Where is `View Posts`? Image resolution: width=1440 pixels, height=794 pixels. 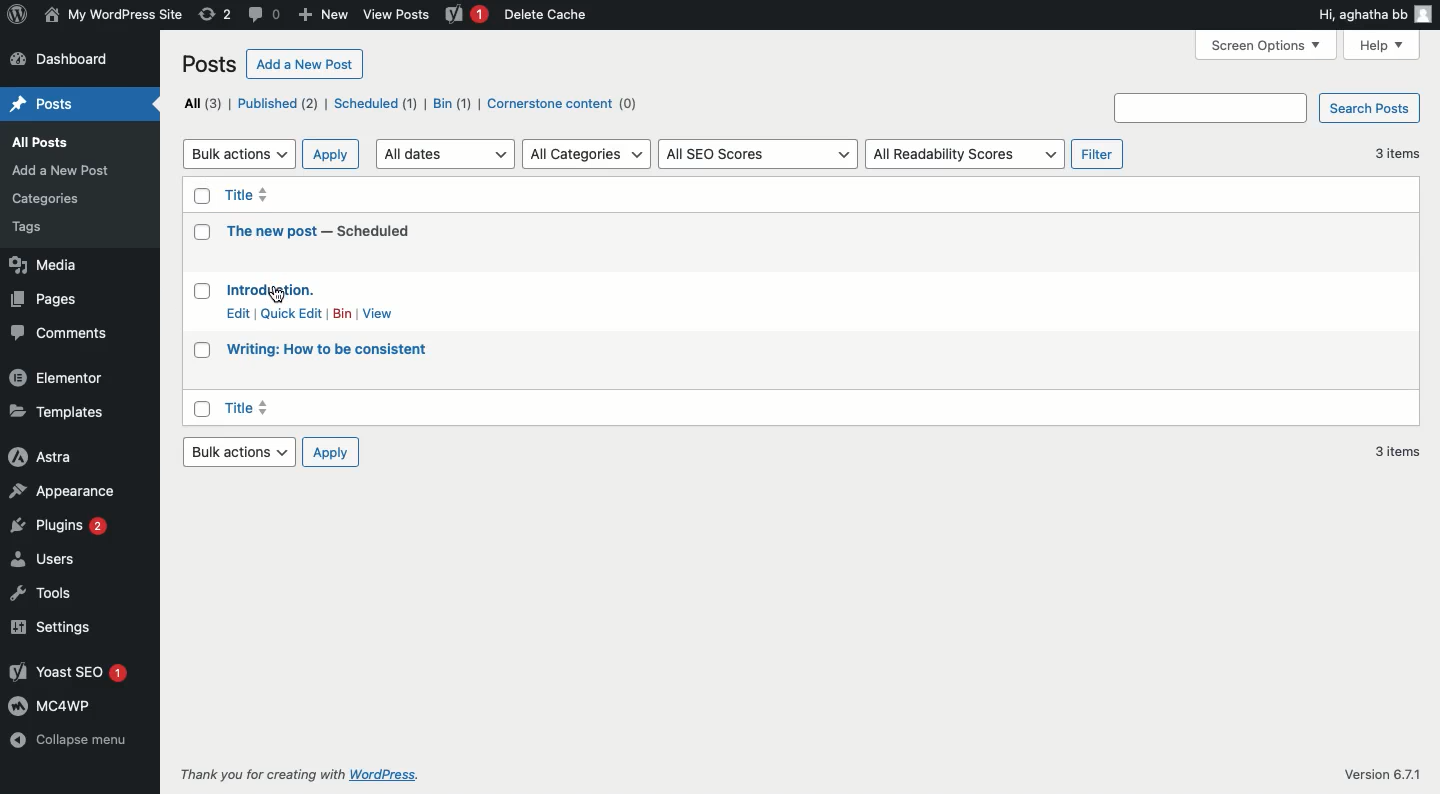
View Posts is located at coordinates (397, 14).